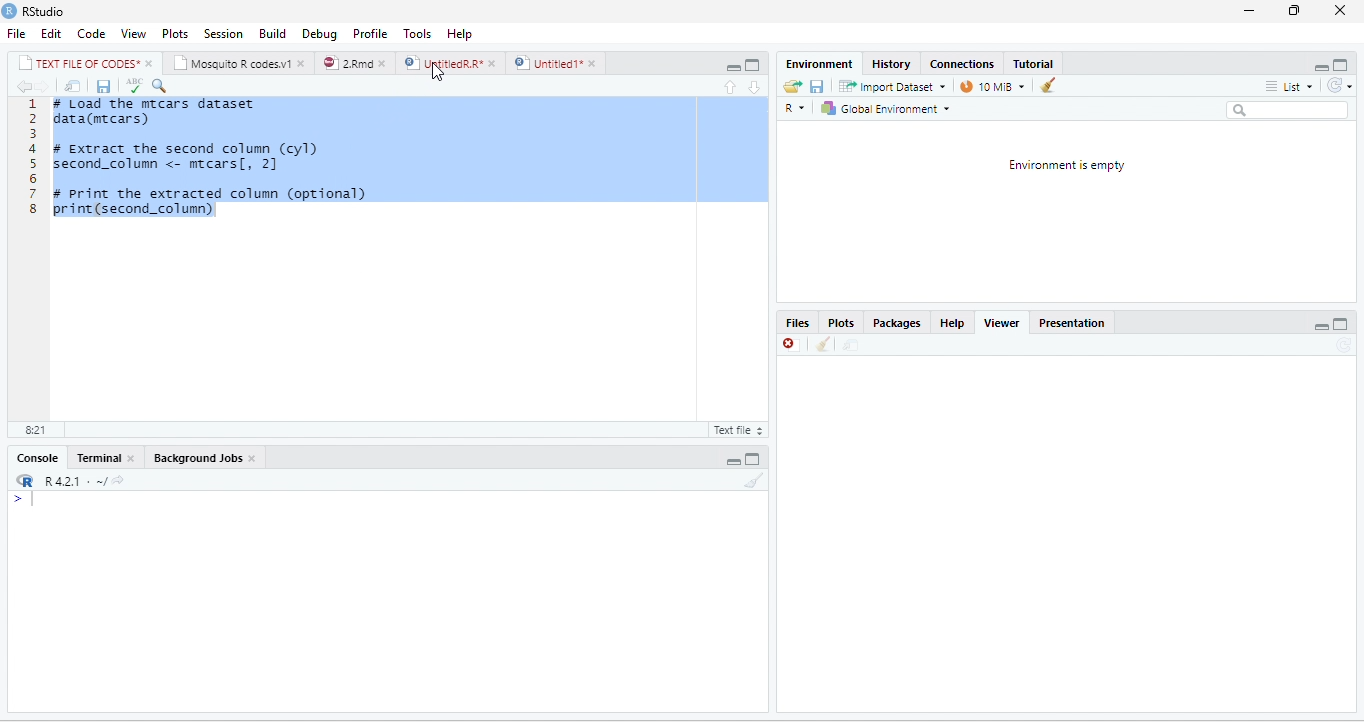 The width and height of the screenshot is (1364, 722). Describe the element at coordinates (1070, 210) in the screenshot. I see `environment is empty` at that location.